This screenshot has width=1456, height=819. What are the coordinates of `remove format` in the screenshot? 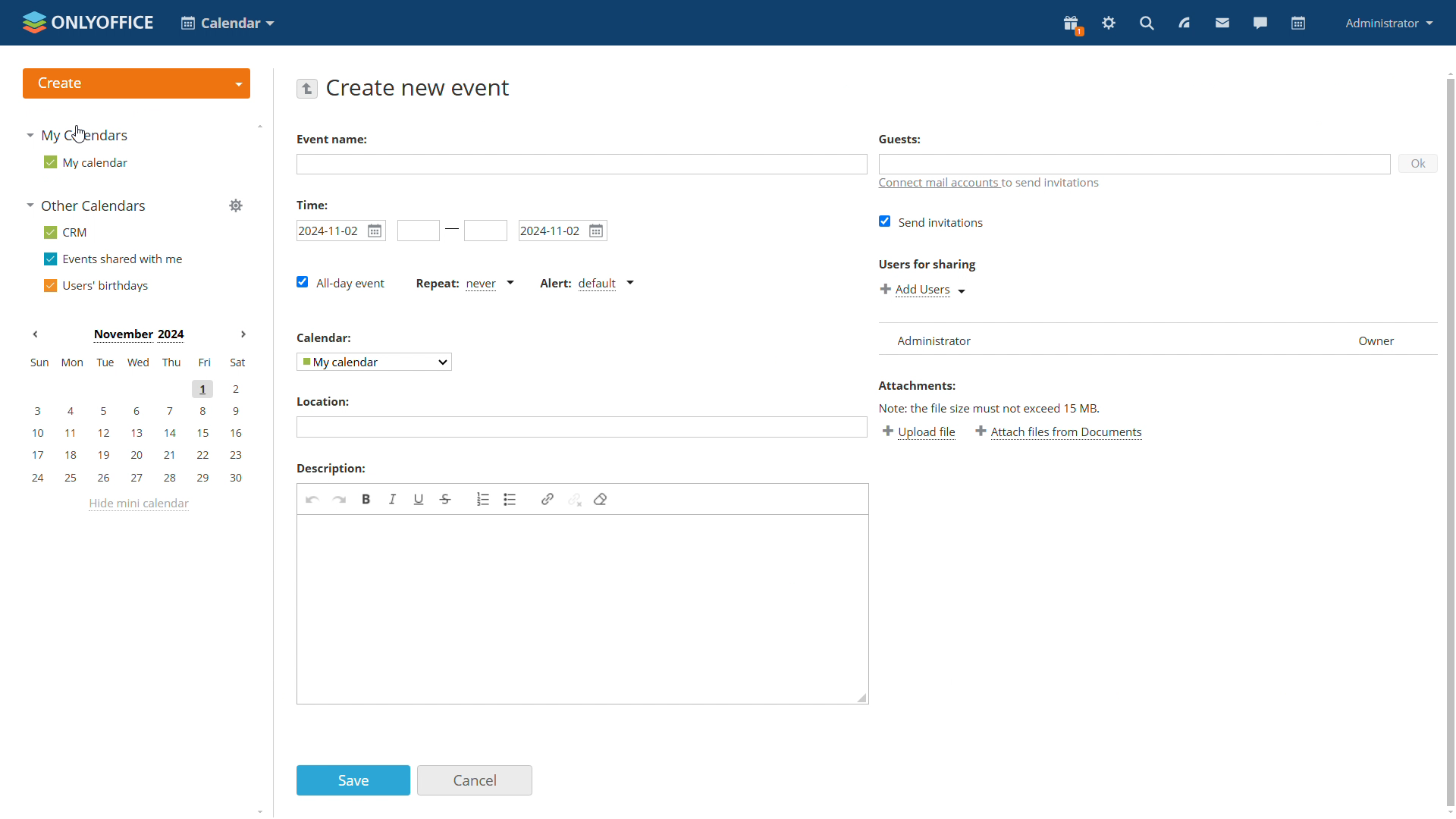 It's located at (601, 499).